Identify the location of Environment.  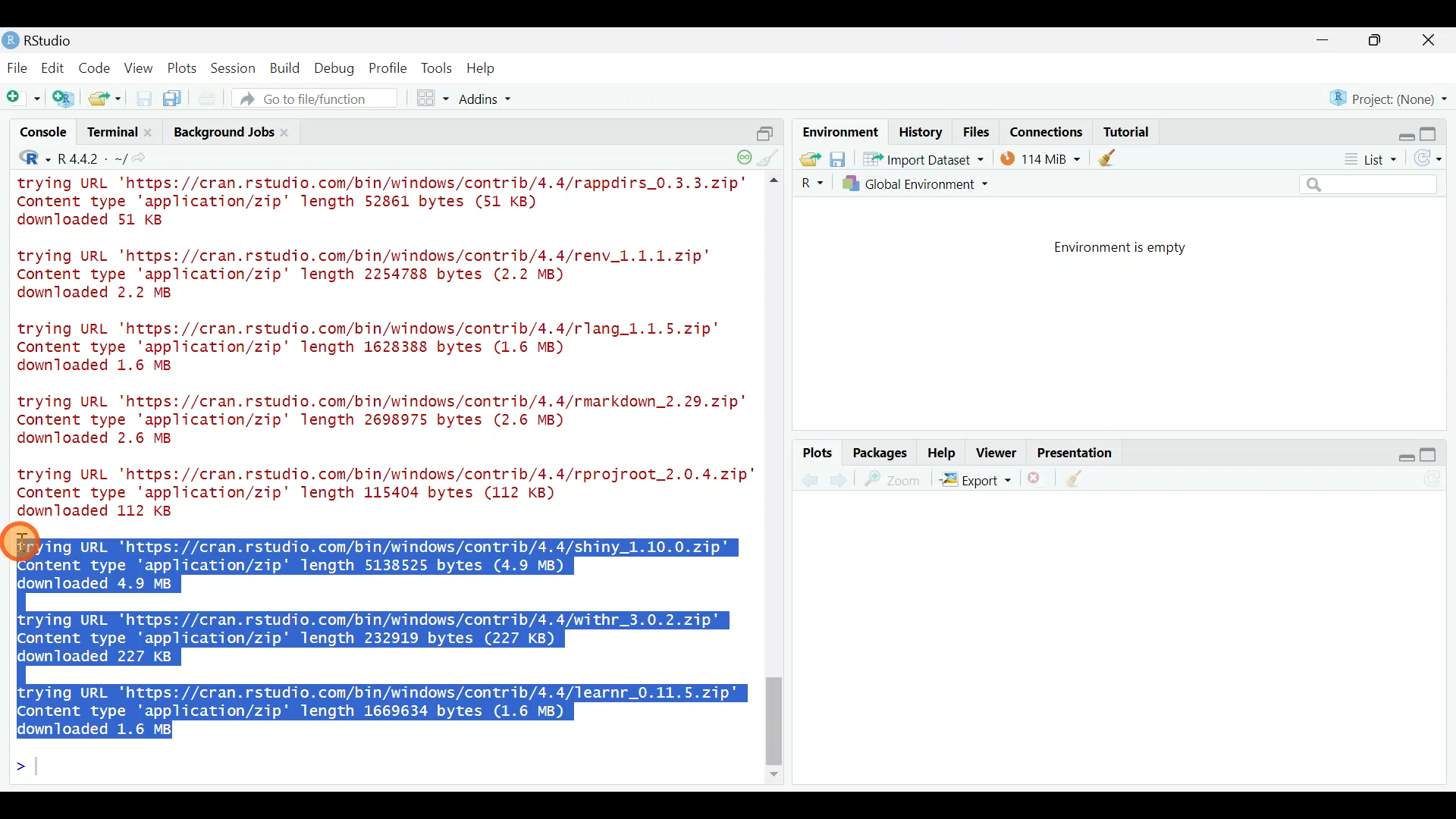
(838, 131).